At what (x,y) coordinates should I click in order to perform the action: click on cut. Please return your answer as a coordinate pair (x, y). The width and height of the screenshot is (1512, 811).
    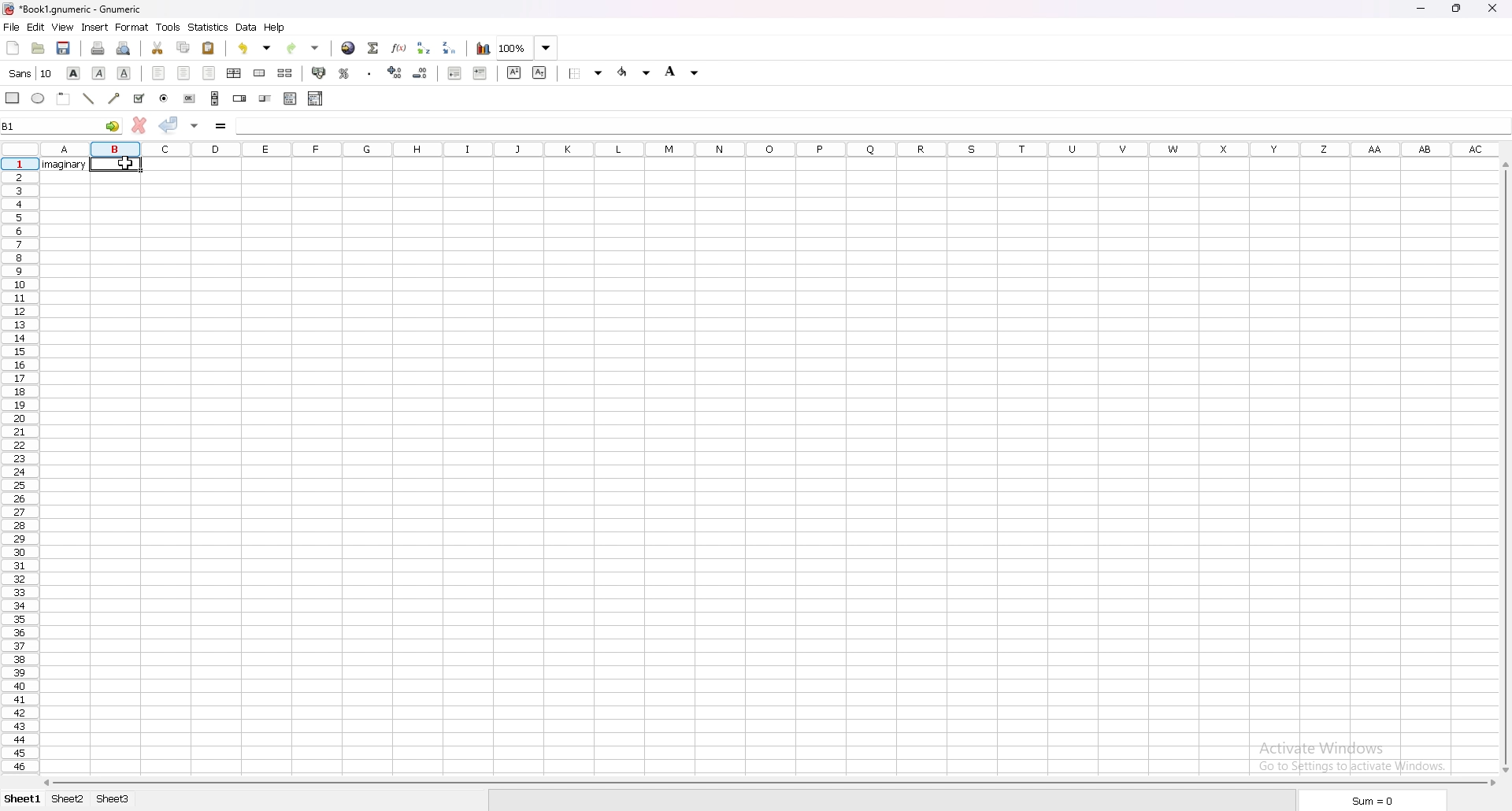
    Looking at the image, I should click on (157, 48).